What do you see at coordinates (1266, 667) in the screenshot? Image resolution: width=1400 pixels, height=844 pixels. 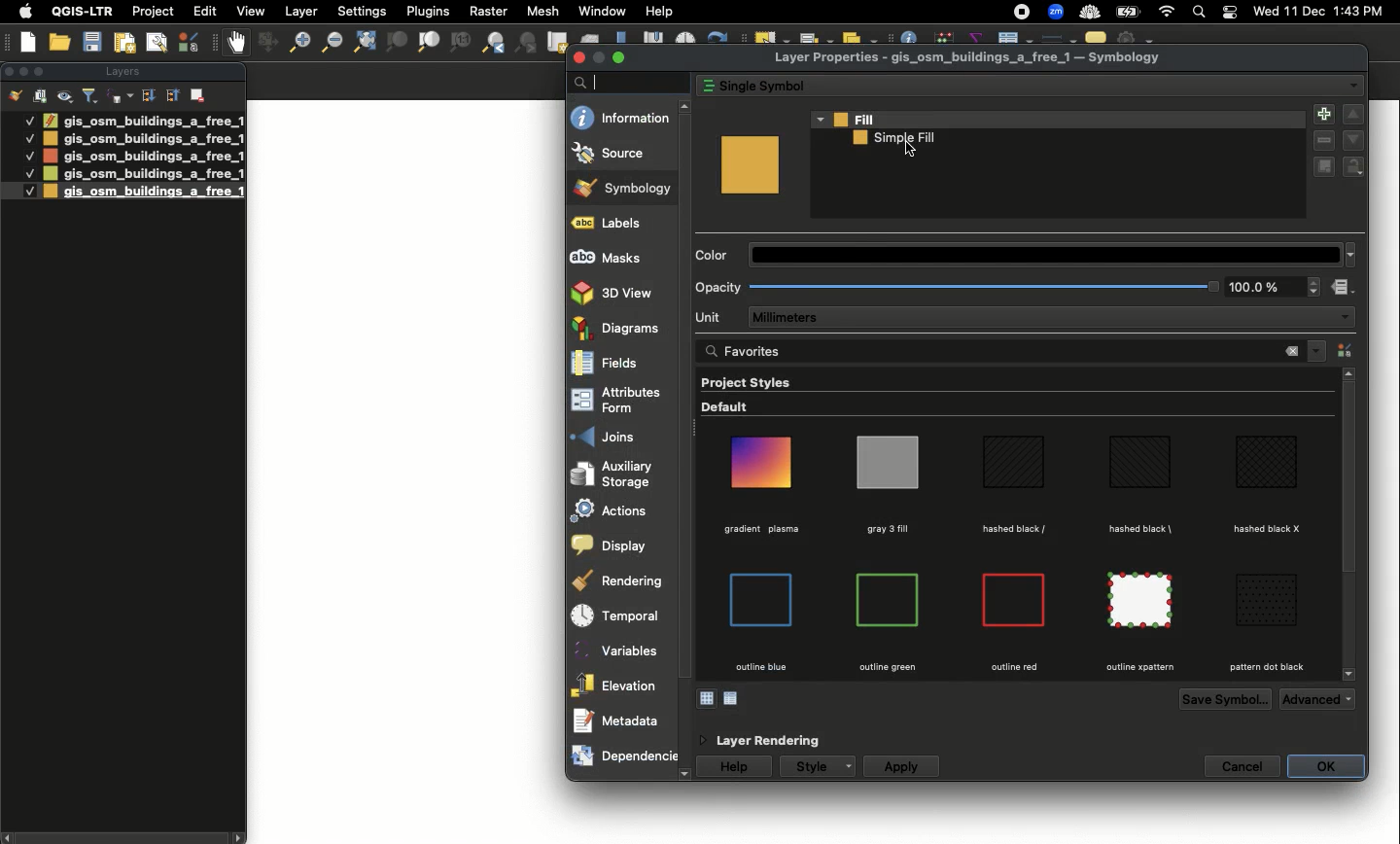 I see `‘pattern dot black` at bounding box center [1266, 667].